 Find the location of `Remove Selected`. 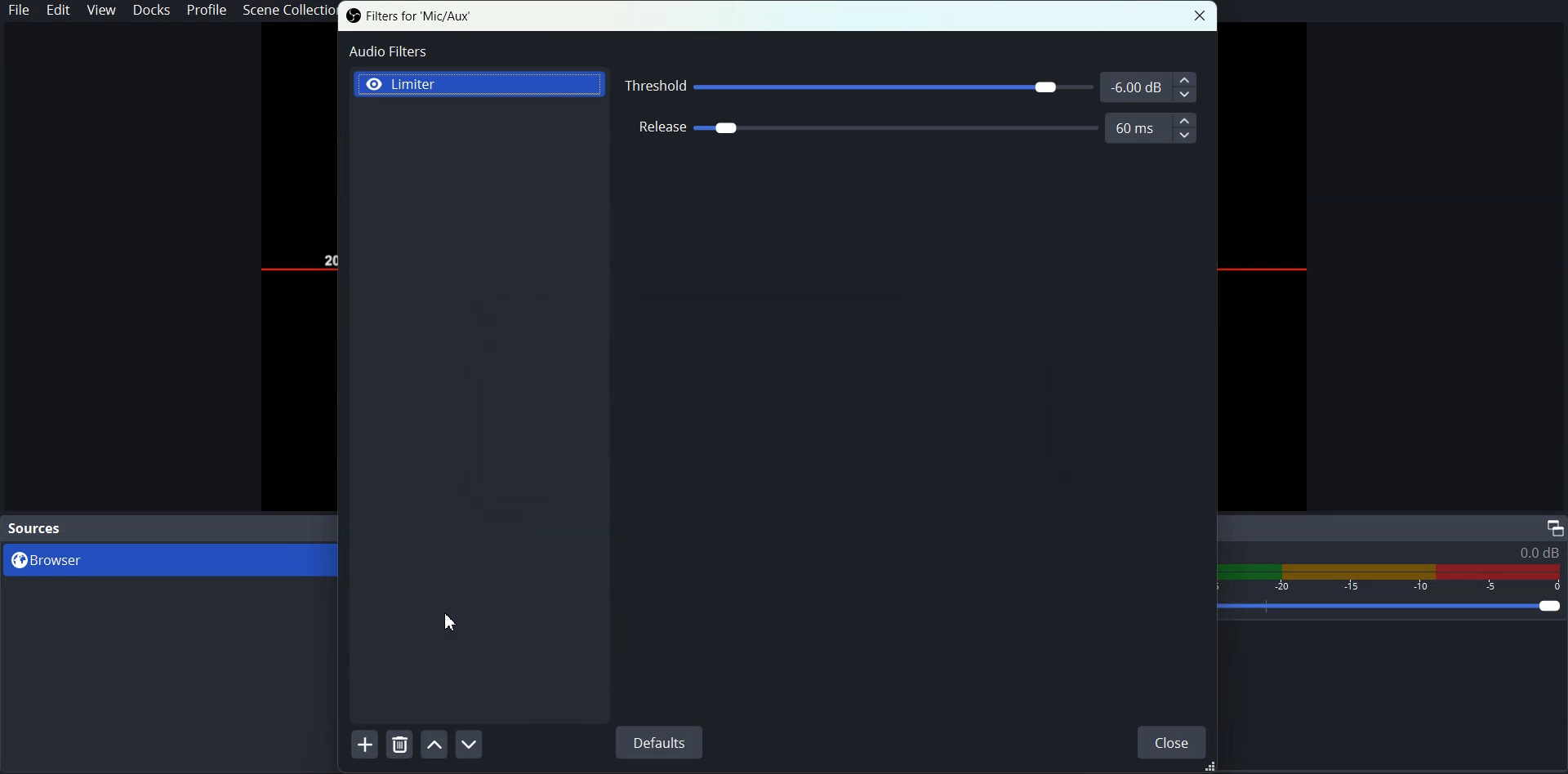

Remove Selected is located at coordinates (401, 744).